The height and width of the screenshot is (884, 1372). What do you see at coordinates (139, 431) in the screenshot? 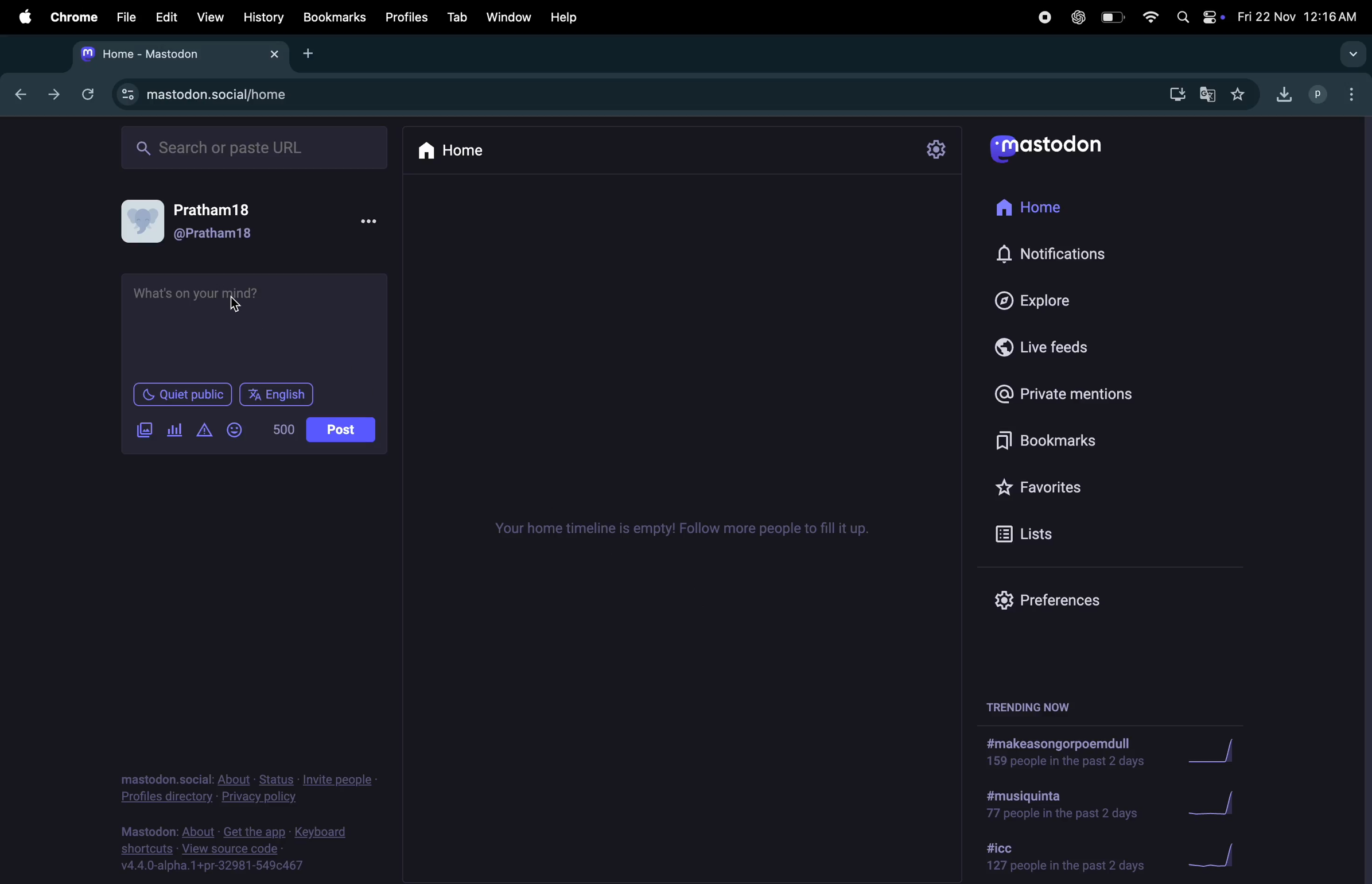
I see `add image` at bounding box center [139, 431].